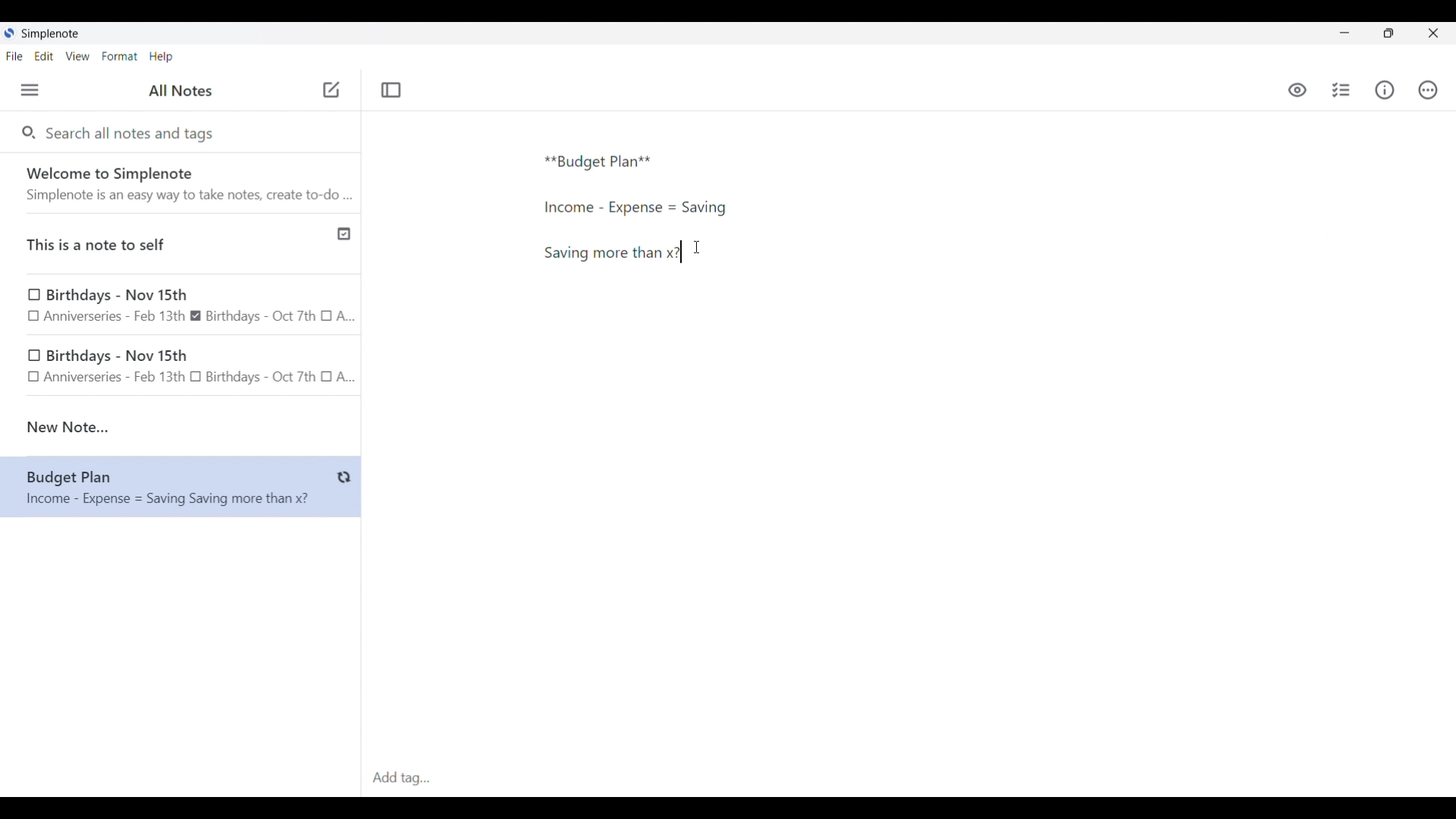  I want to click on Note text changed, so click(180, 488).